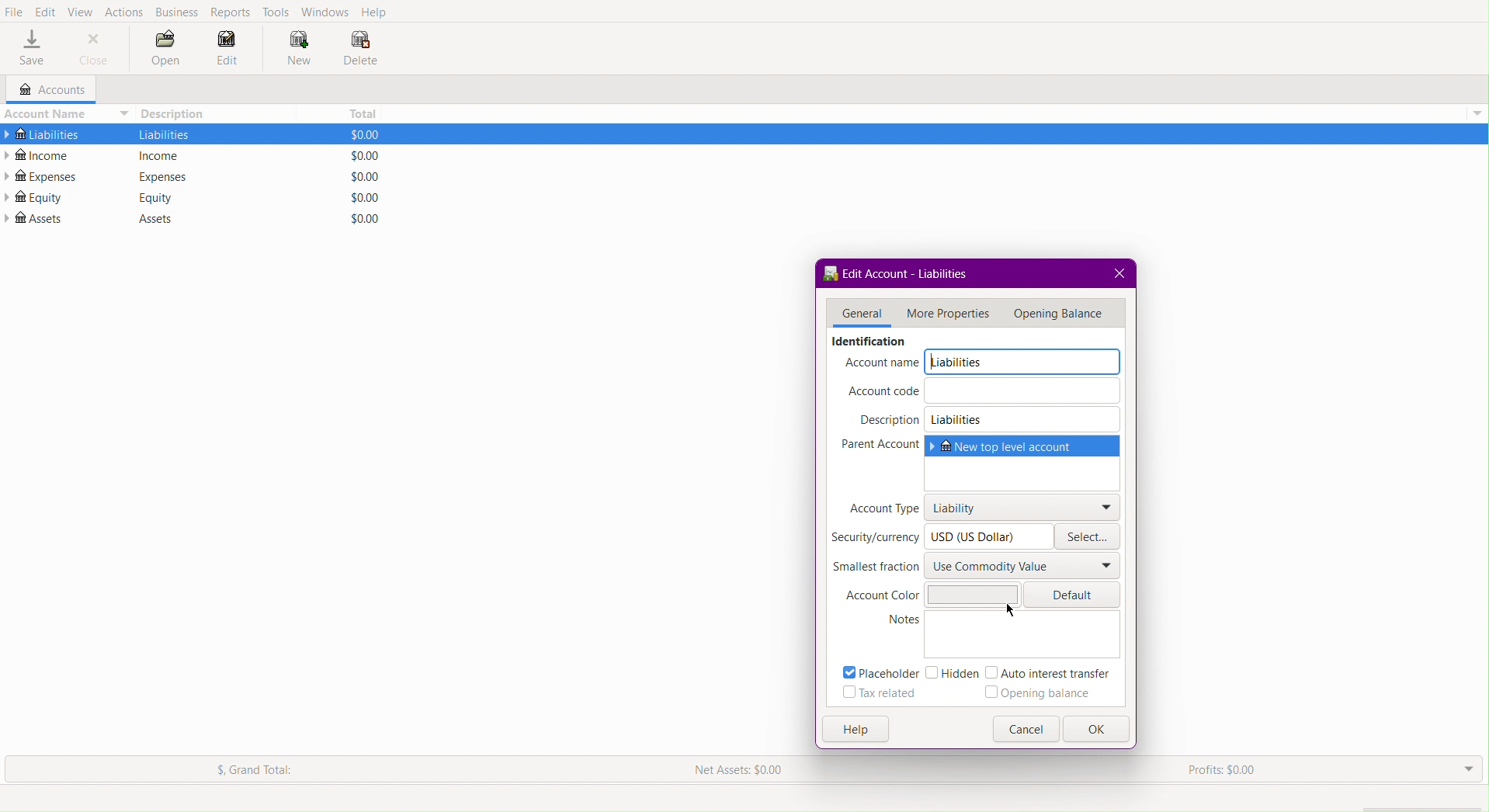  Describe the element at coordinates (1049, 674) in the screenshot. I see `Auto interest transfer` at that location.